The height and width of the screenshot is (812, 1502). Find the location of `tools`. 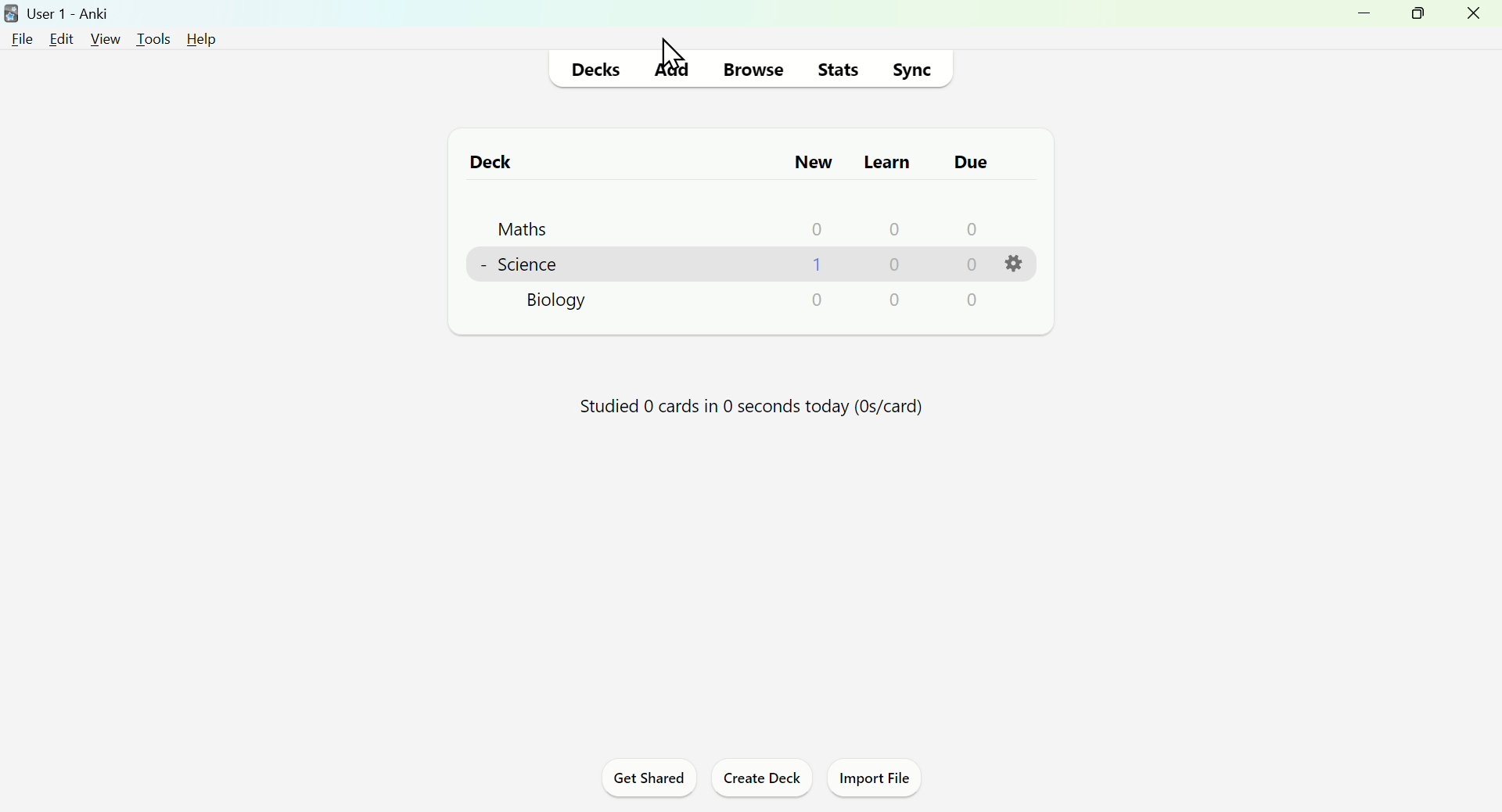

tools is located at coordinates (153, 39).